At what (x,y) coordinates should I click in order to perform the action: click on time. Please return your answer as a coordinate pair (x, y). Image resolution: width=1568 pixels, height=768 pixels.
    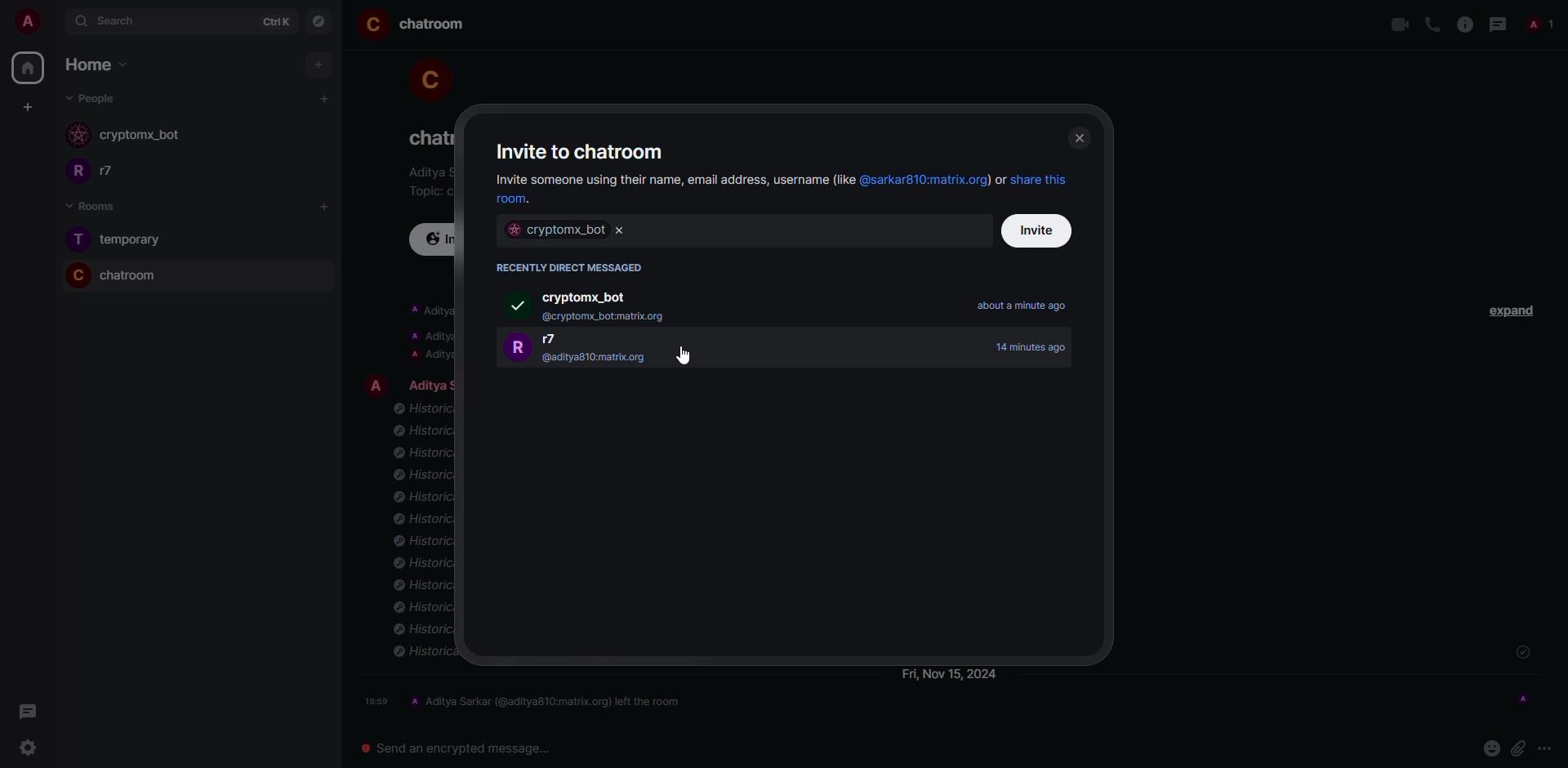
    Looking at the image, I should click on (1022, 306).